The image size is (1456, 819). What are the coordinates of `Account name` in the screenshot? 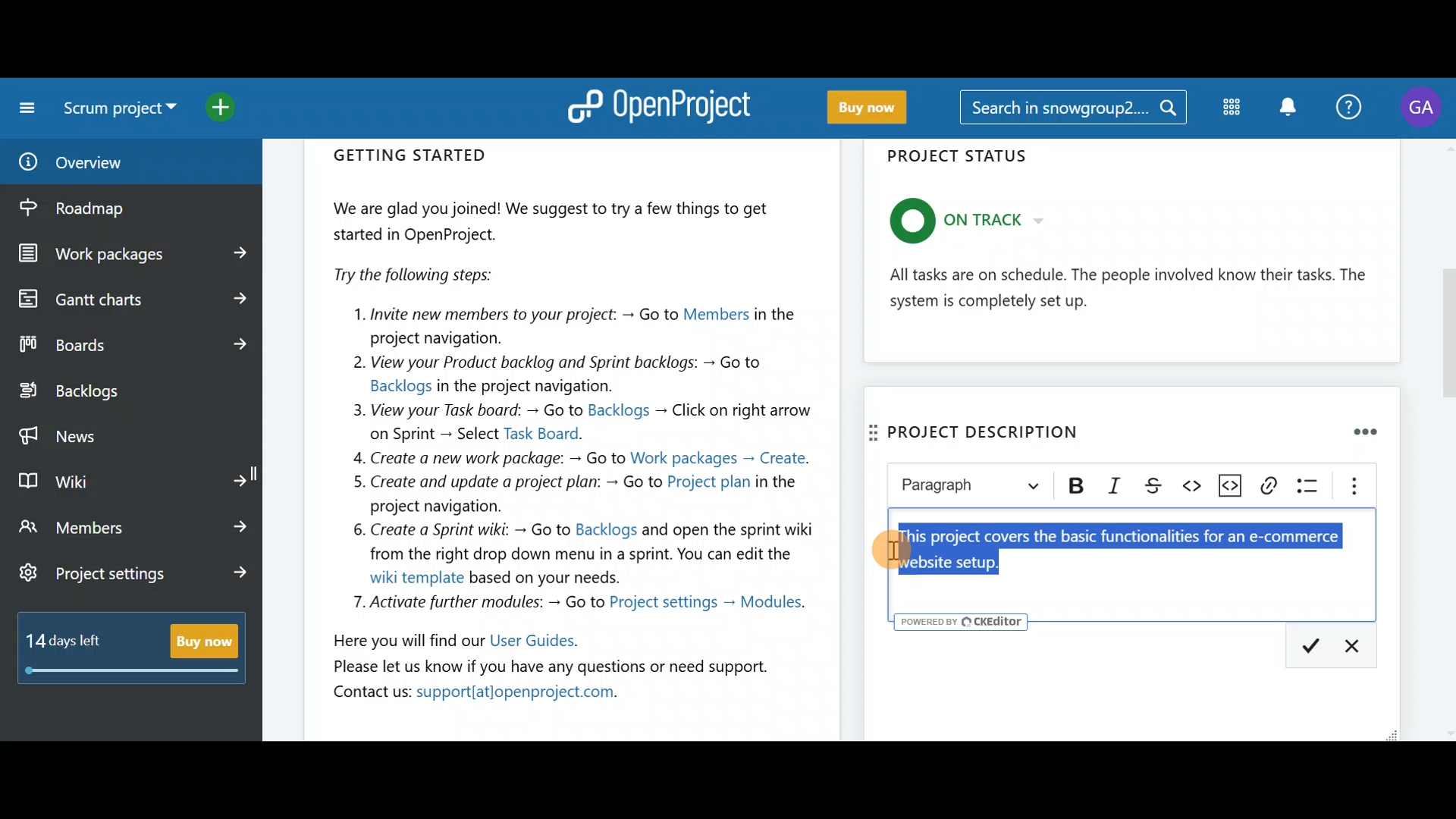 It's located at (1424, 108).